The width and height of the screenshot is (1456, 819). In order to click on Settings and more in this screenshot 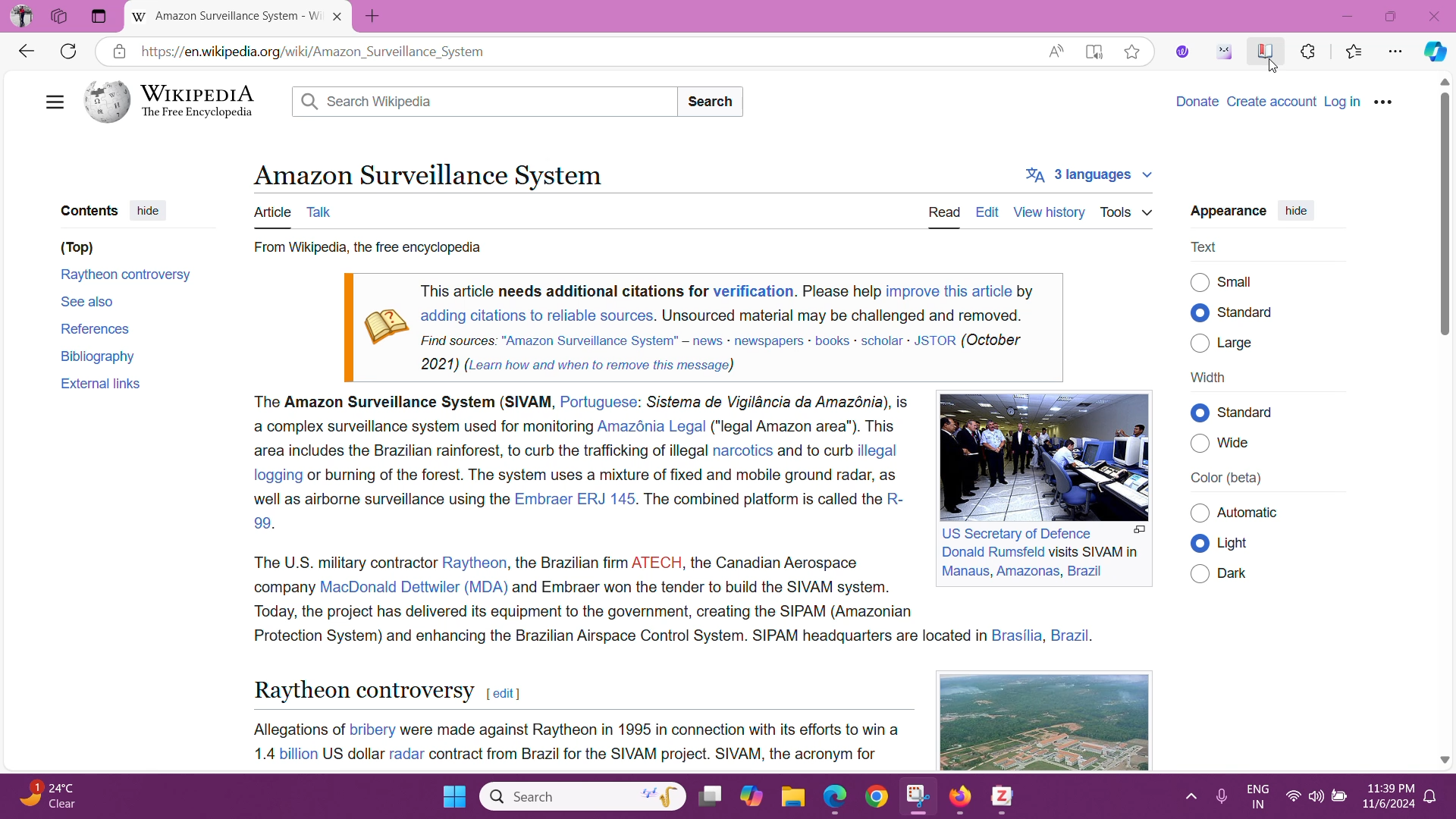, I will do `click(1397, 52)`.